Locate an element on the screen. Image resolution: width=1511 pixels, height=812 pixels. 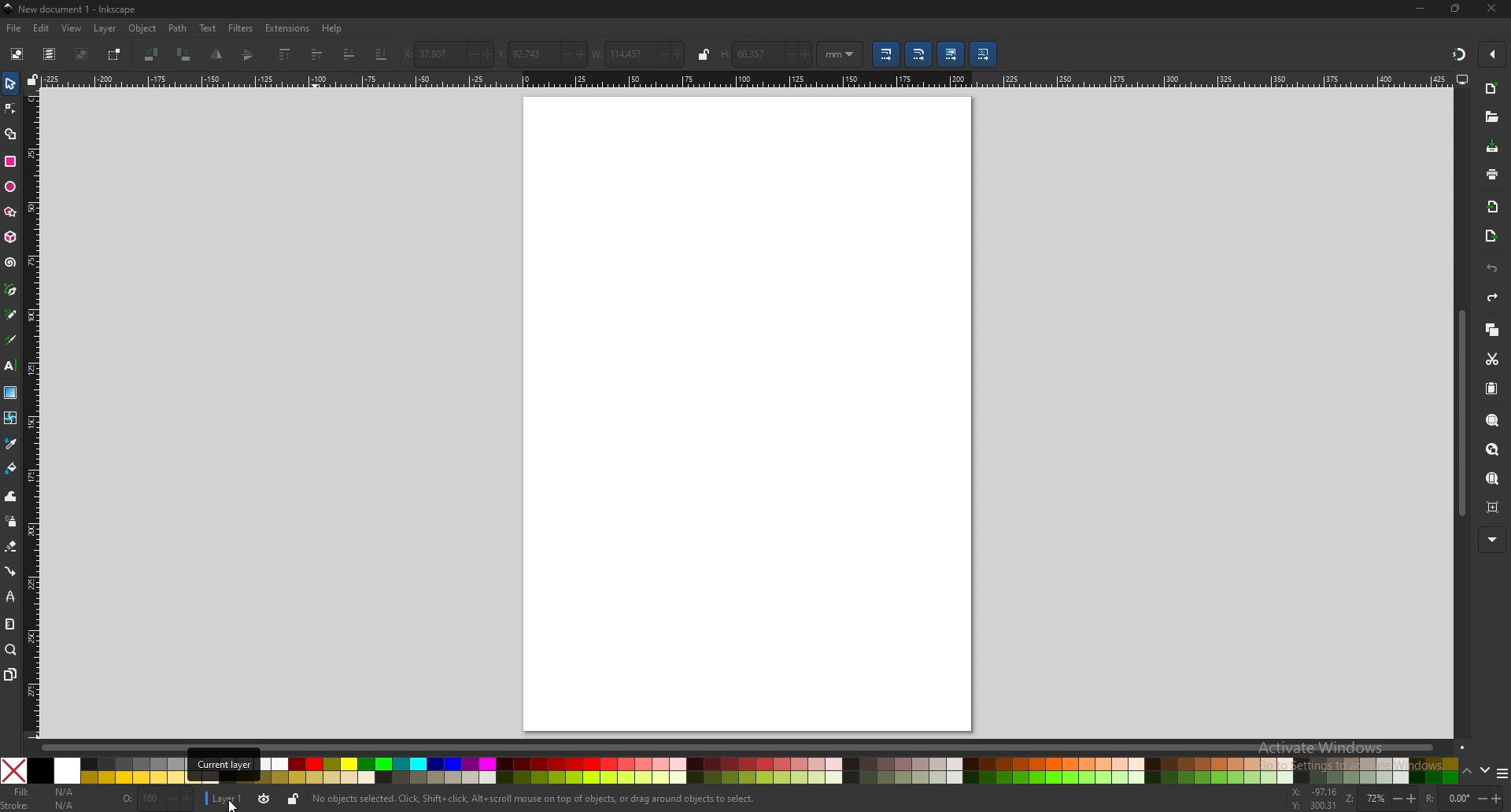
zoom selection is located at coordinates (1494, 419).